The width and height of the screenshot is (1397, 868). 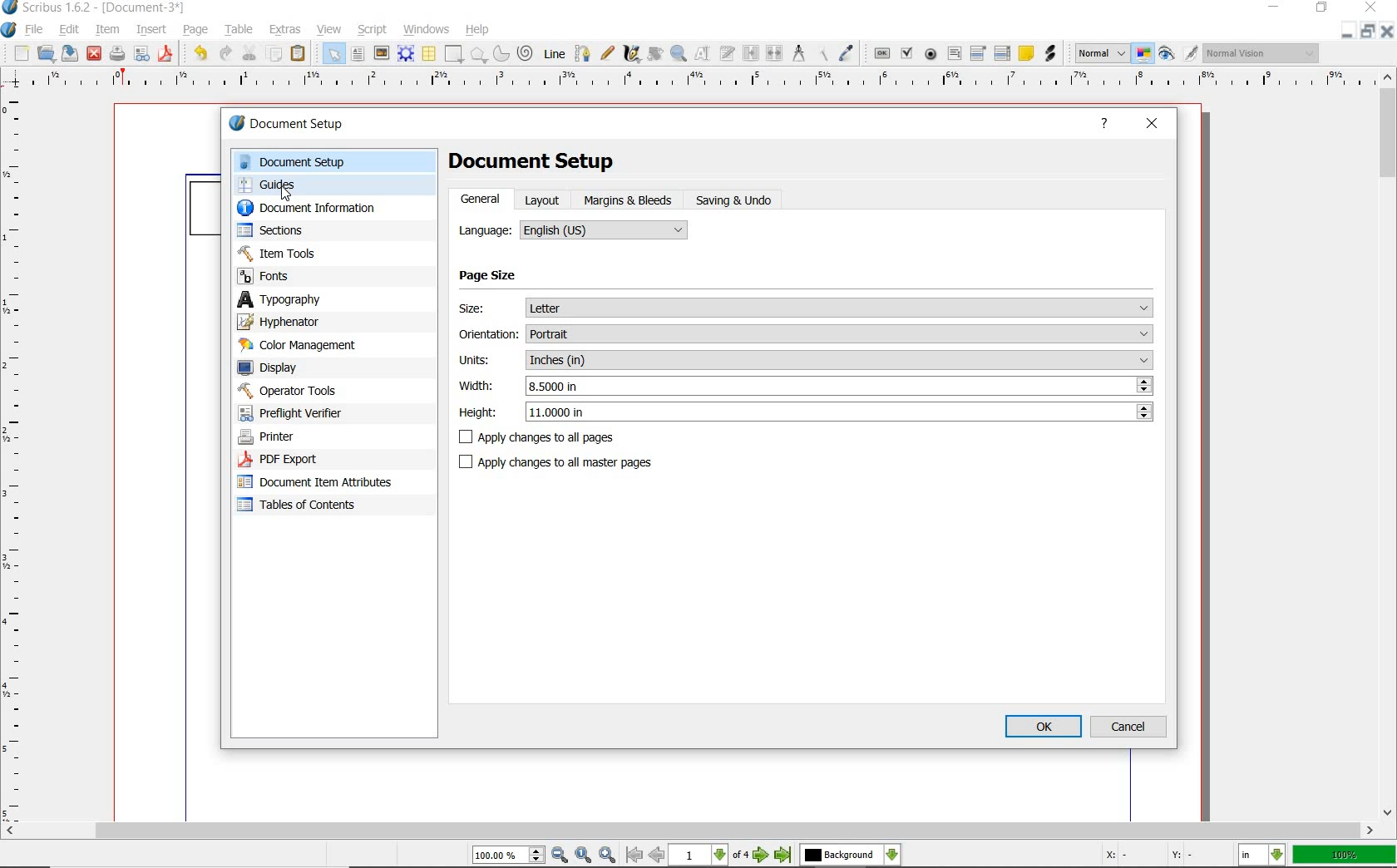 I want to click on script, so click(x=373, y=29).